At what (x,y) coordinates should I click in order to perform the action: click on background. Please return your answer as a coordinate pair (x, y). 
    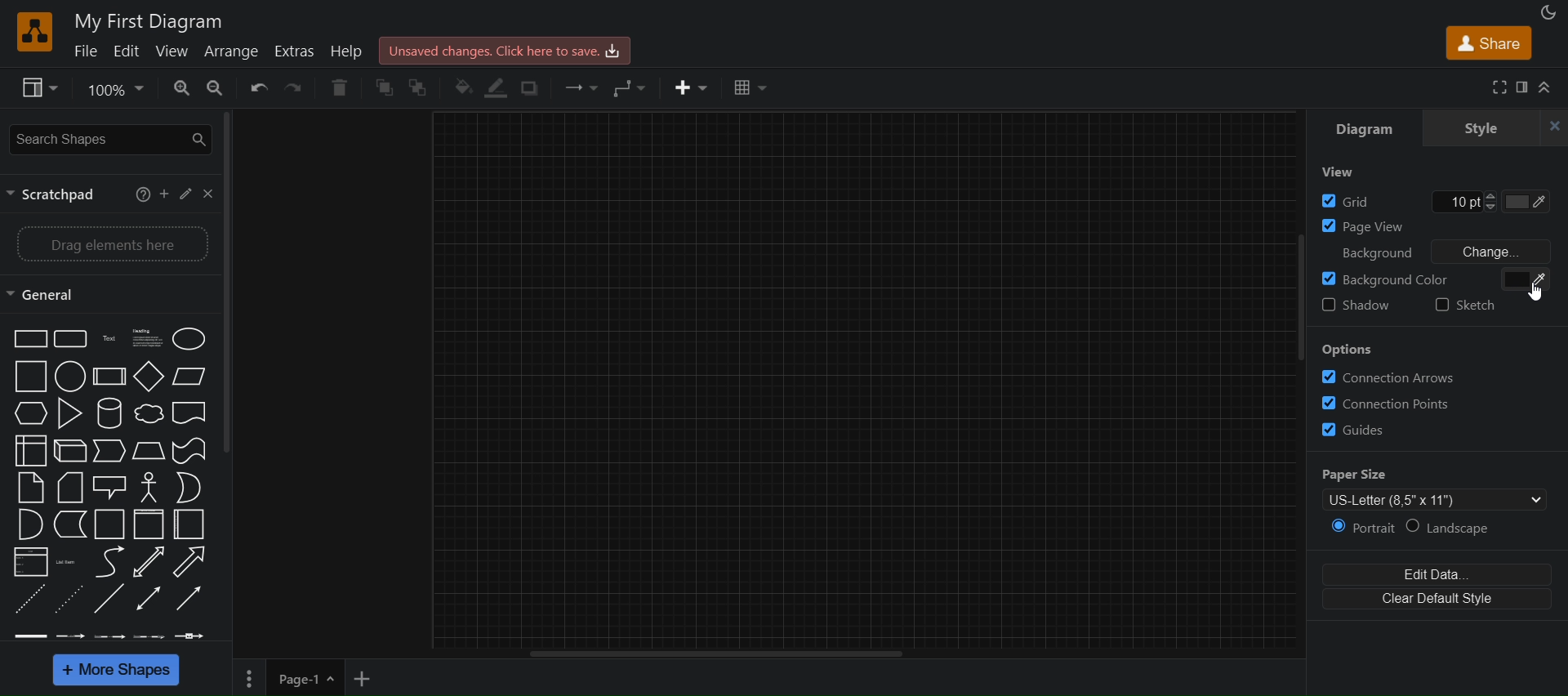
    Looking at the image, I should click on (1430, 279).